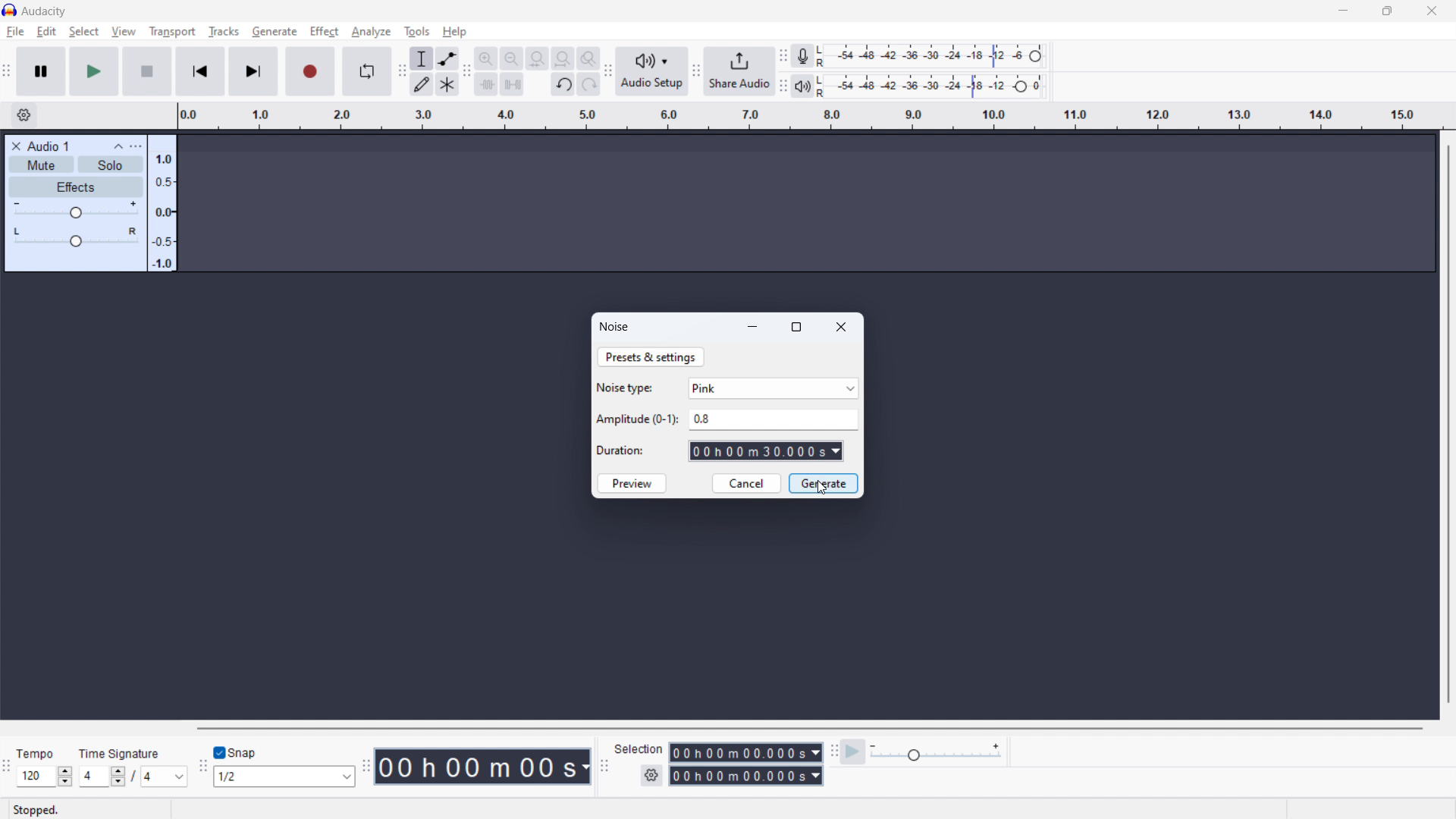 Image resolution: width=1456 pixels, height=819 pixels. Describe the element at coordinates (821, 489) in the screenshot. I see `cursor` at that location.